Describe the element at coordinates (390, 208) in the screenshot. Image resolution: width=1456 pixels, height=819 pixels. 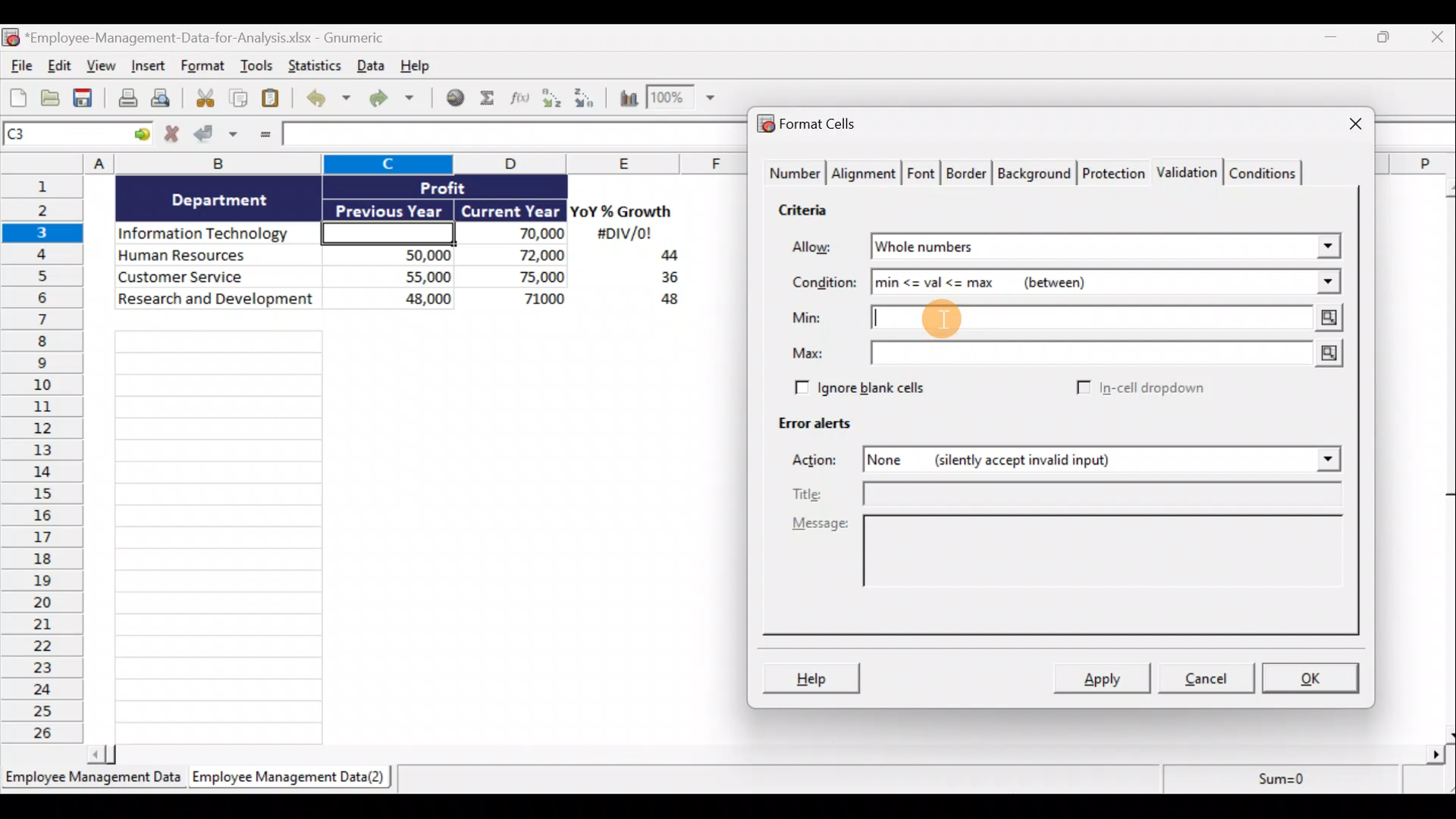
I see `Previous Year` at that location.